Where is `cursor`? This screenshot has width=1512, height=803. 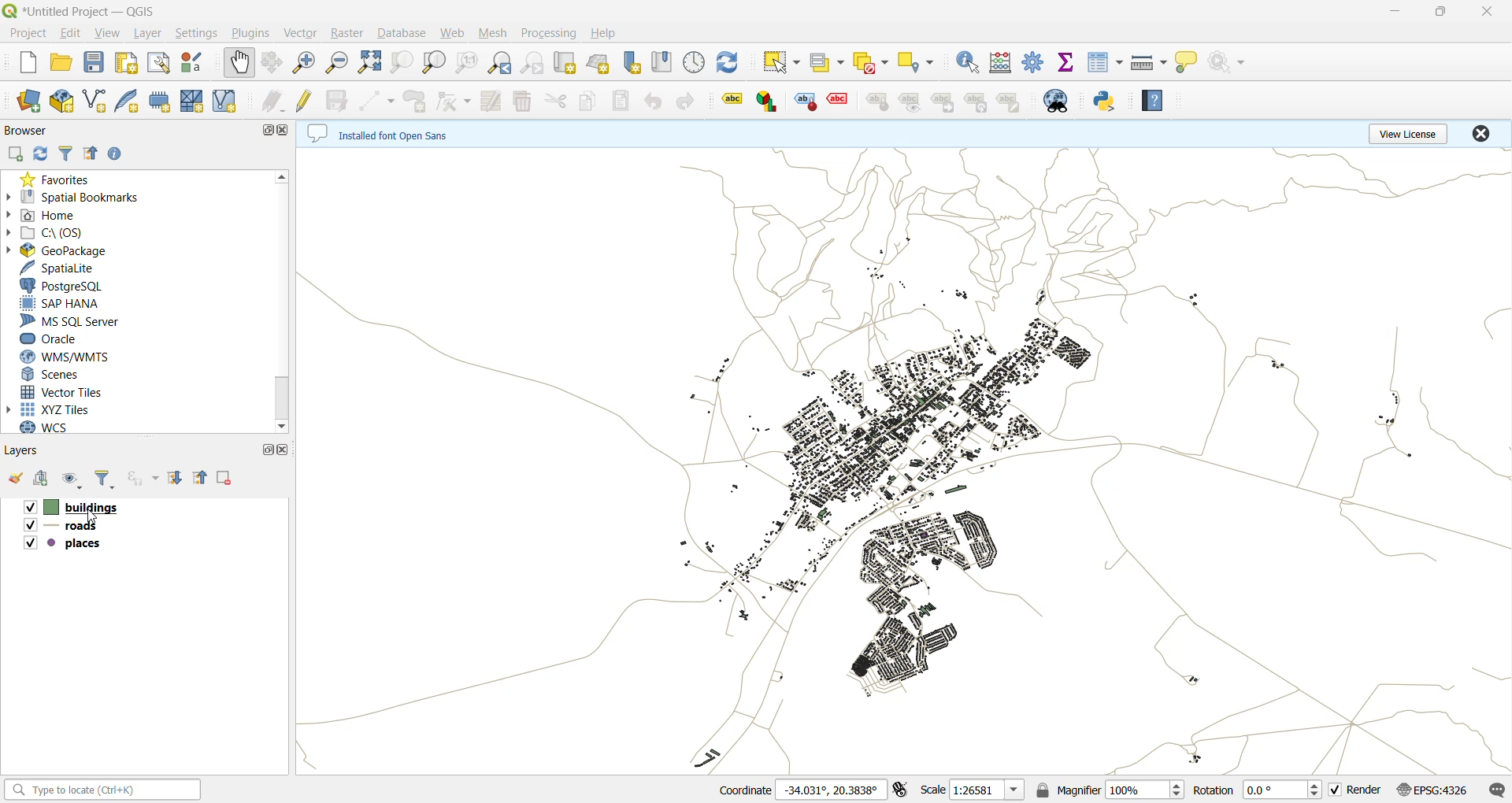 cursor is located at coordinates (92, 516).